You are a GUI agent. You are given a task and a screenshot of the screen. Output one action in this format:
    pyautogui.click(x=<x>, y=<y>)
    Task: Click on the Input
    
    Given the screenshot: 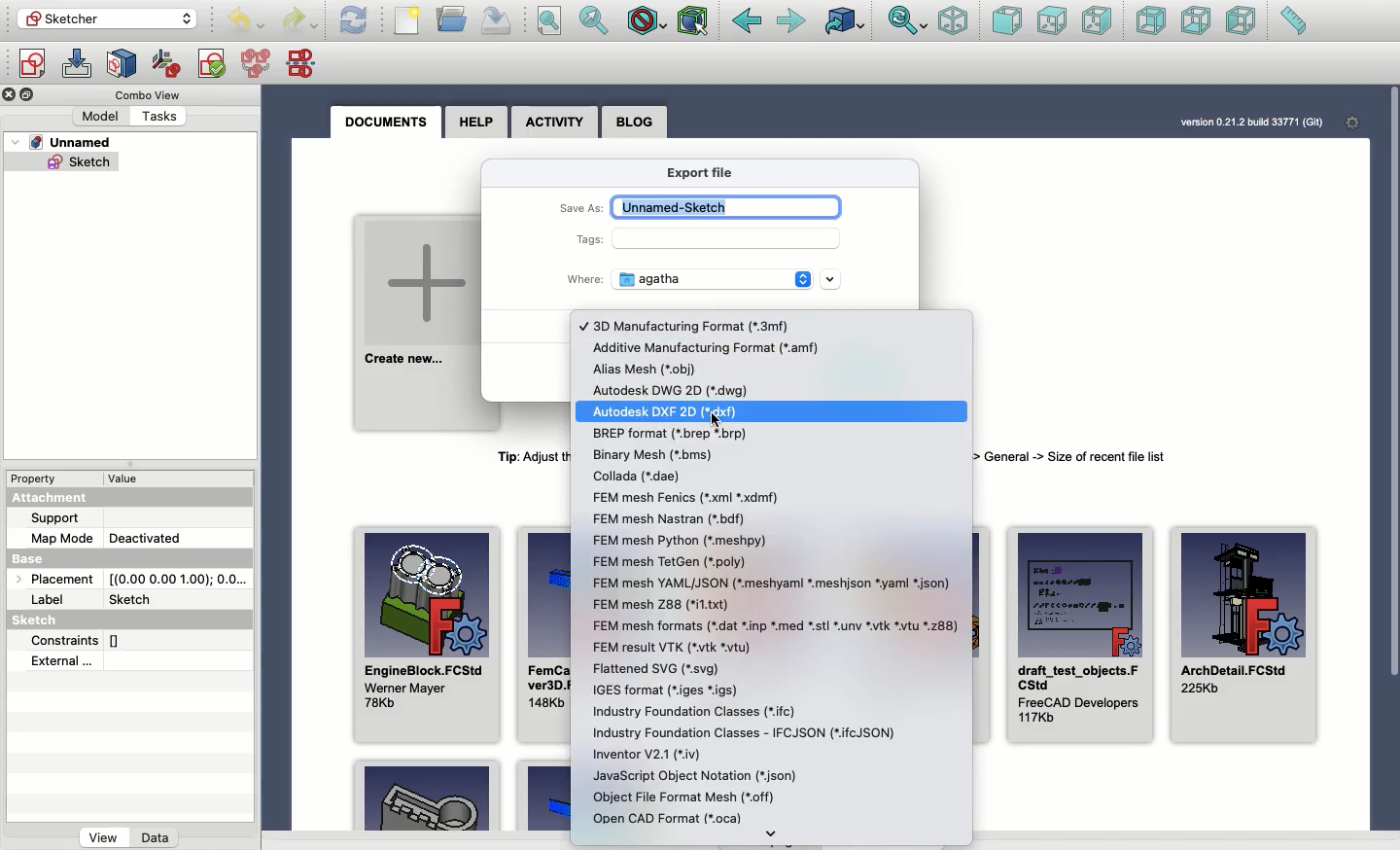 What is the action you would take?
    pyautogui.click(x=730, y=238)
    